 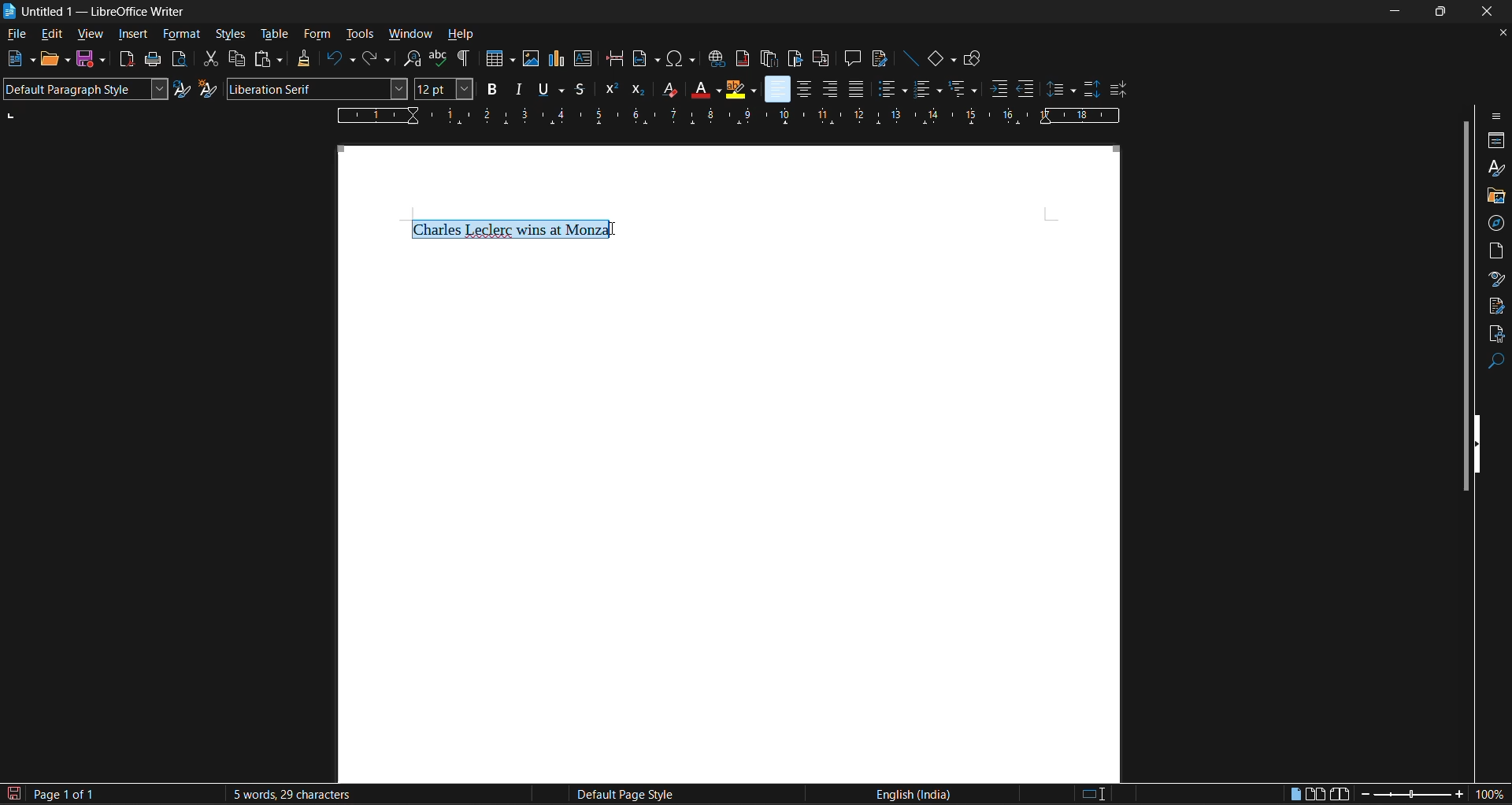 I want to click on form, so click(x=319, y=35).